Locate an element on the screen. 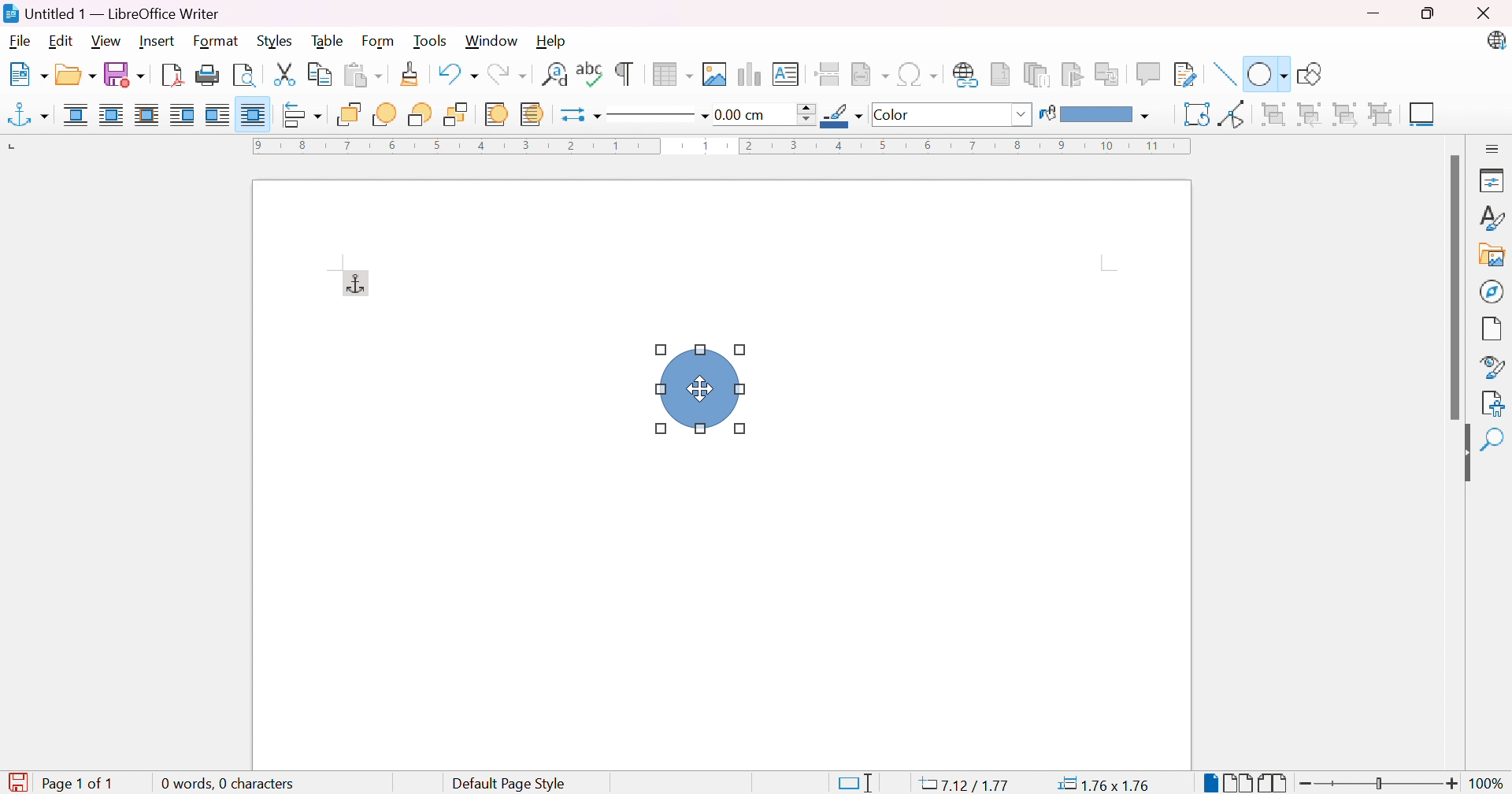 The image size is (1512, 794). Cut is located at coordinates (284, 75).